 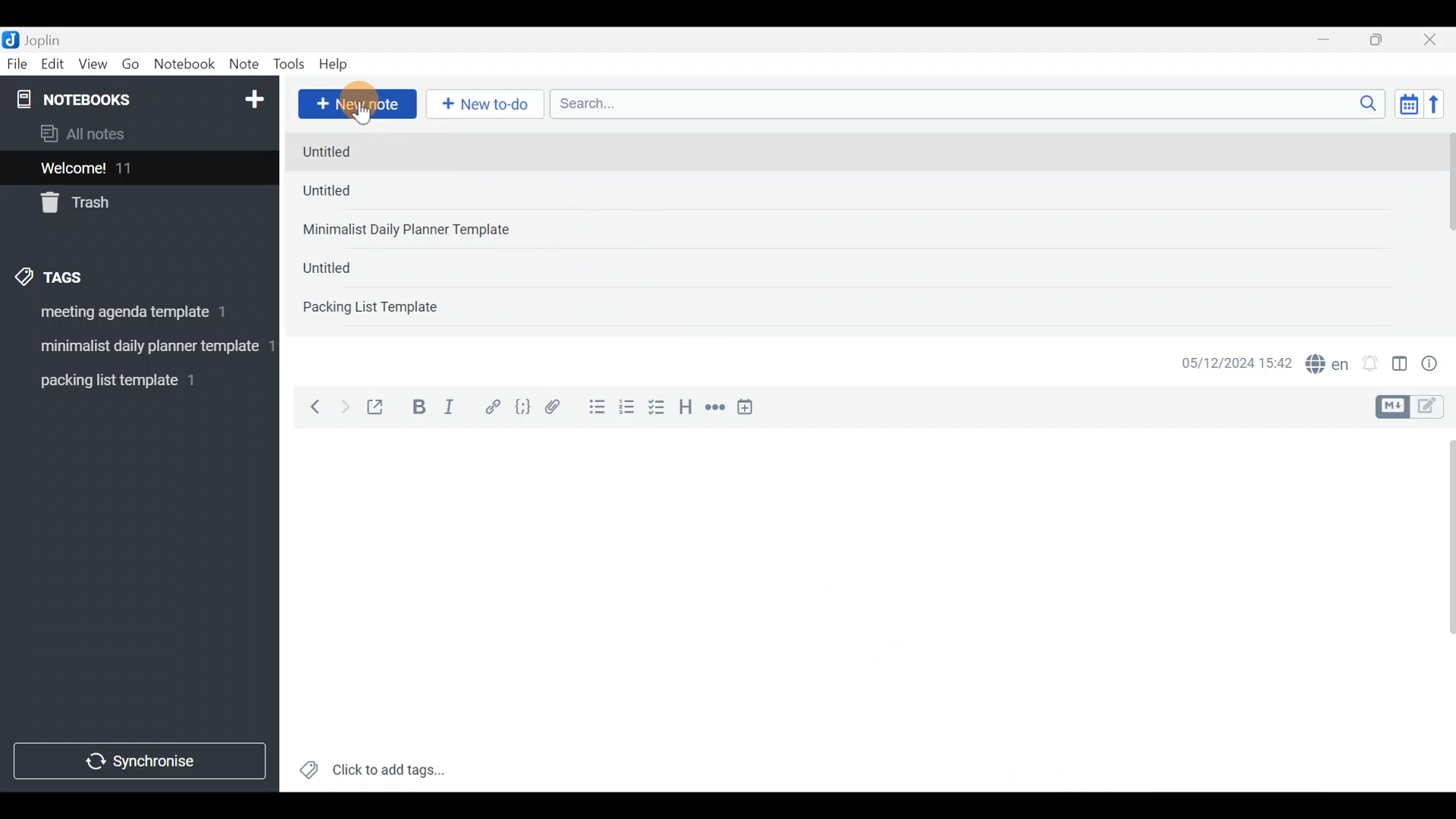 What do you see at coordinates (350, 265) in the screenshot?
I see `Untitled` at bounding box center [350, 265].